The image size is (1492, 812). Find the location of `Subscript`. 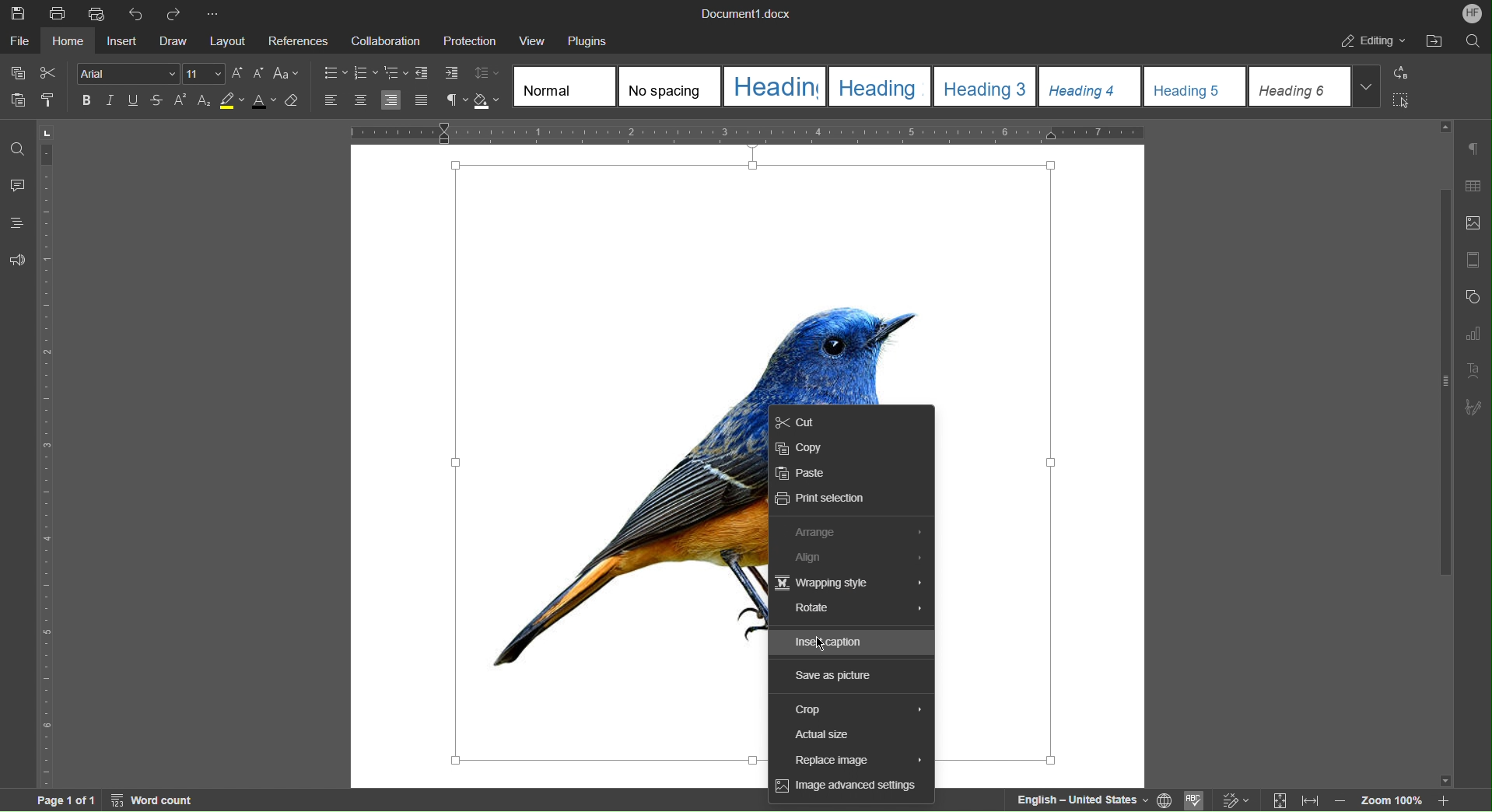

Subscript is located at coordinates (203, 101).